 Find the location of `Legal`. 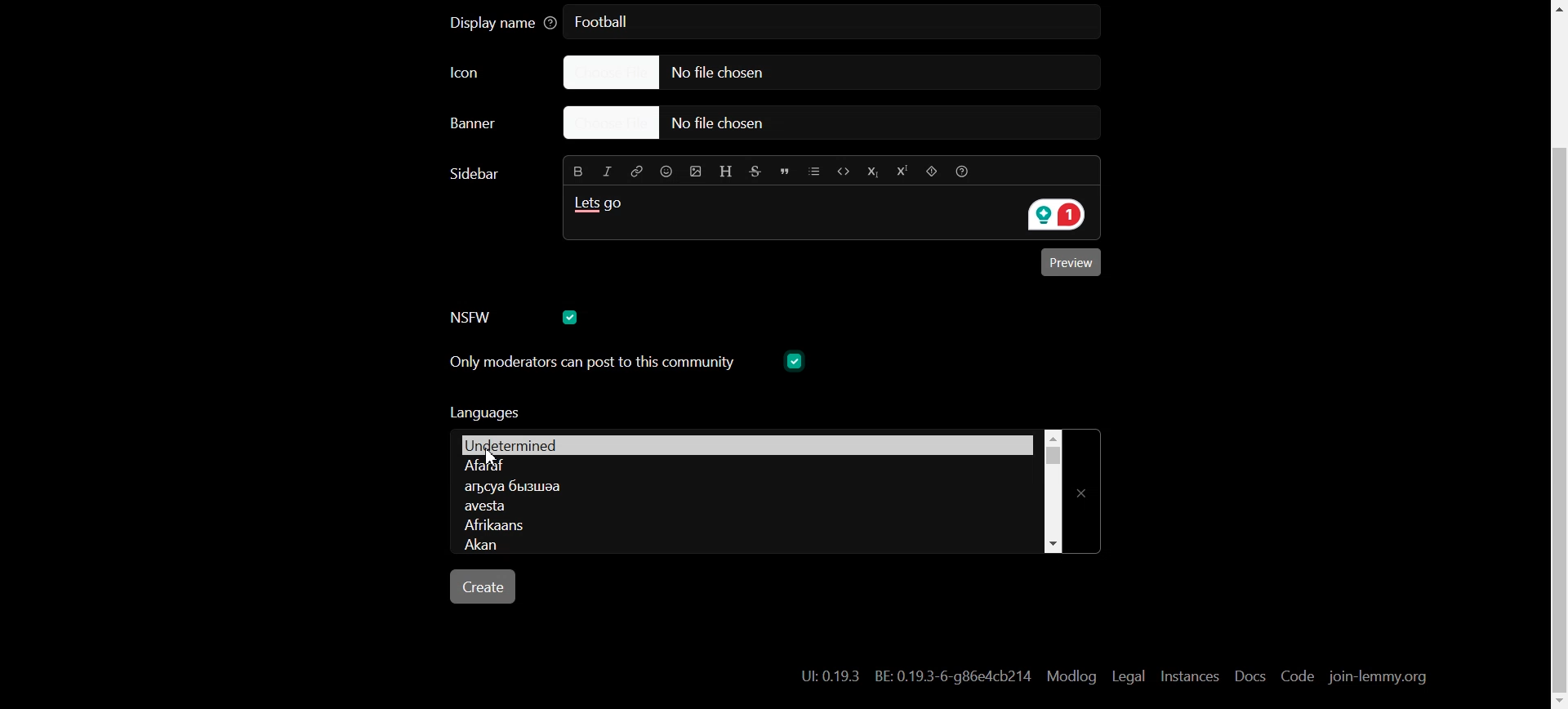

Legal is located at coordinates (1129, 676).